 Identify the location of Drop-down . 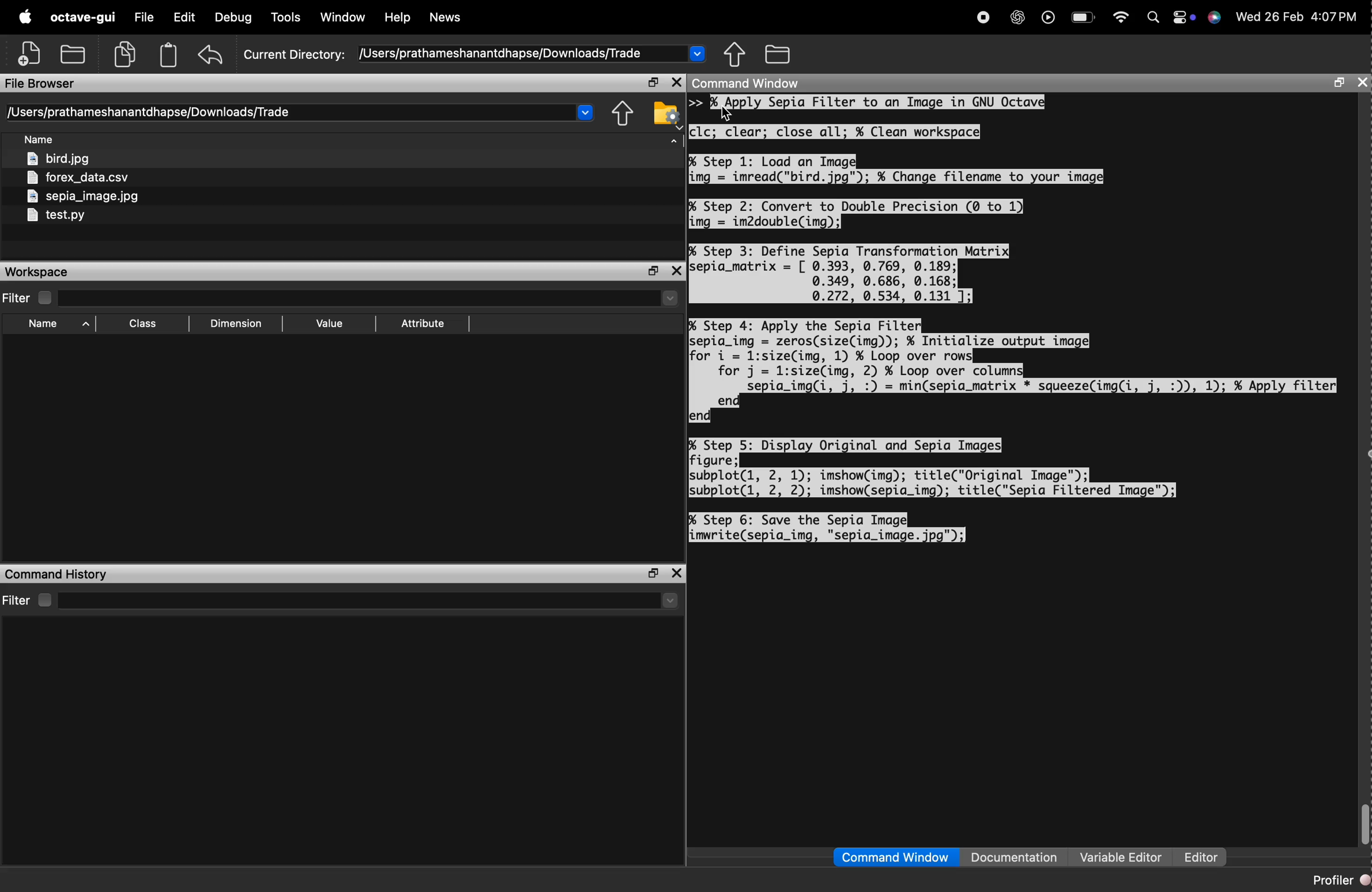
(698, 54).